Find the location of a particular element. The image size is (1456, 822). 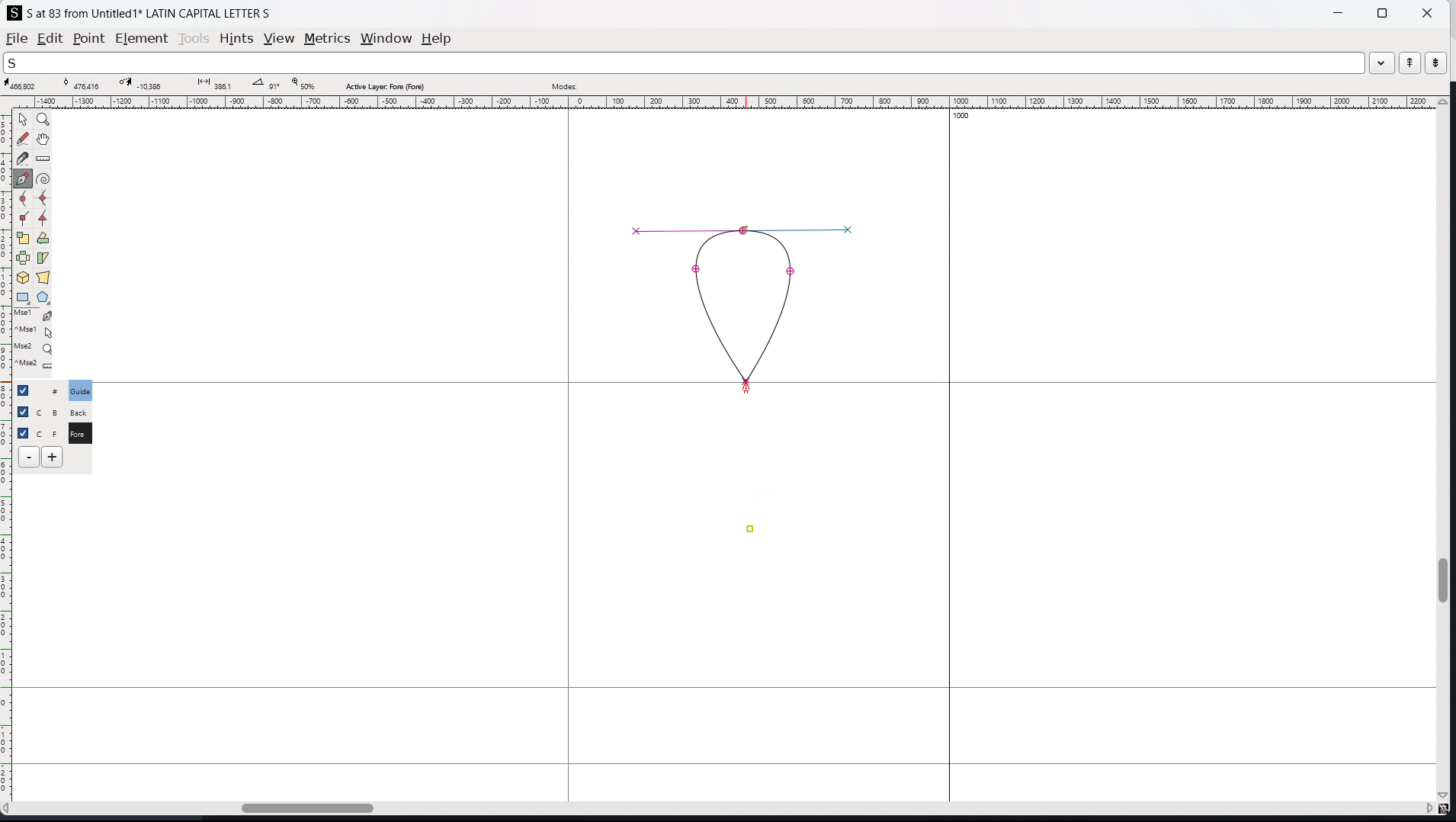

selection toggle is located at coordinates (24, 432).